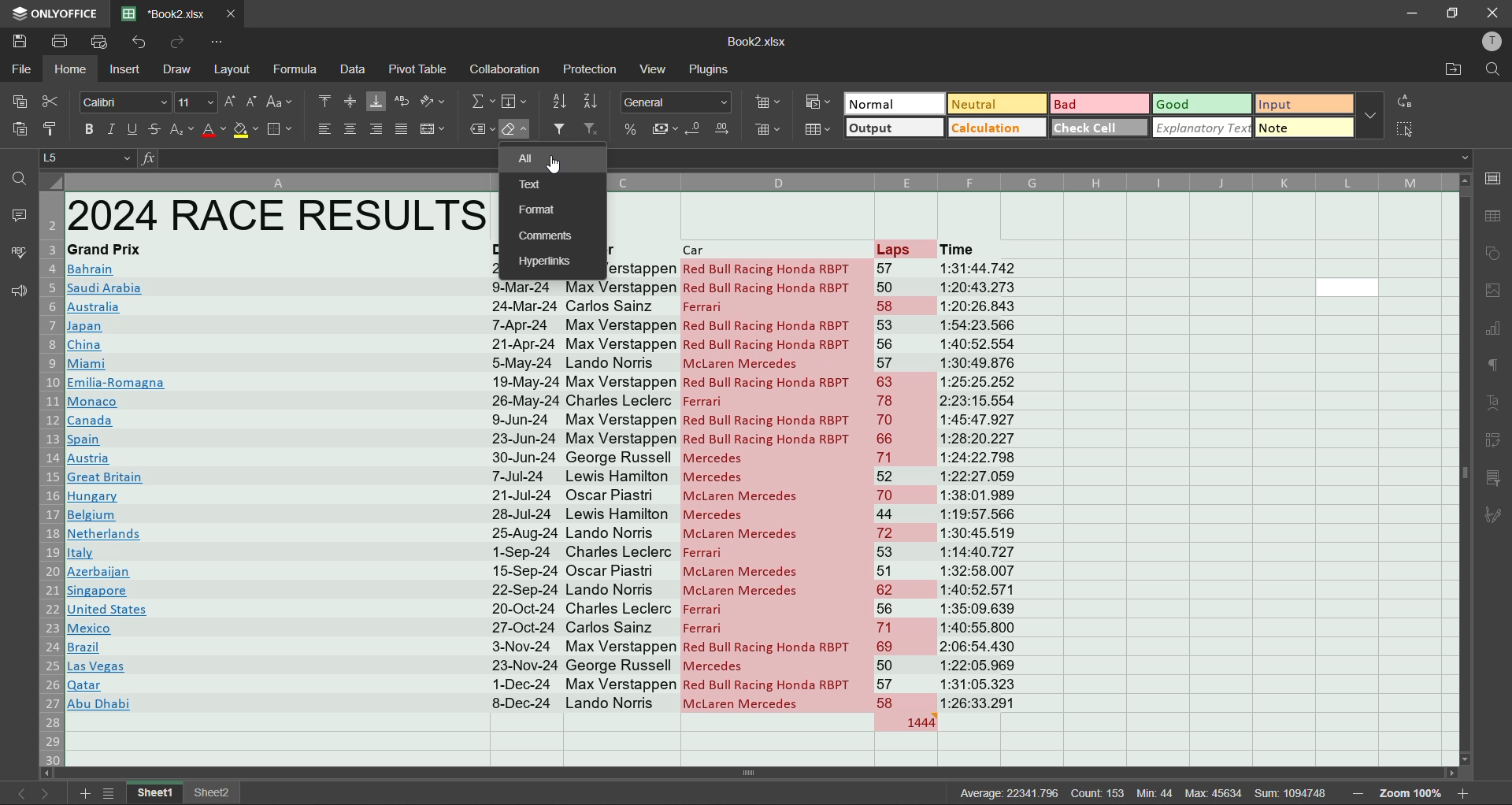 This screenshot has width=1512, height=805. What do you see at coordinates (706, 70) in the screenshot?
I see `plugins` at bounding box center [706, 70].